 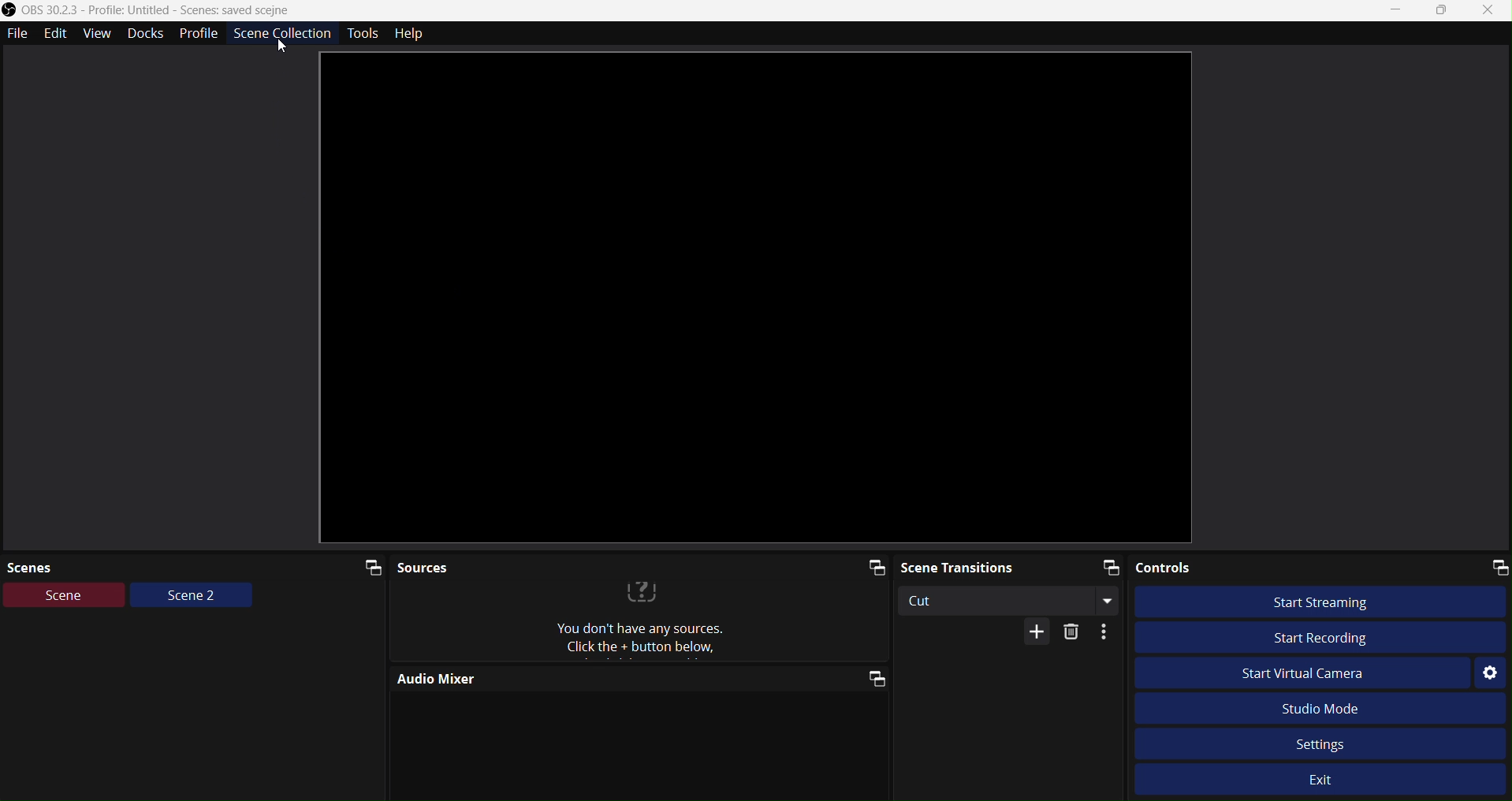 What do you see at coordinates (367, 33) in the screenshot?
I see `Tools` at bounding box center [367, 33].